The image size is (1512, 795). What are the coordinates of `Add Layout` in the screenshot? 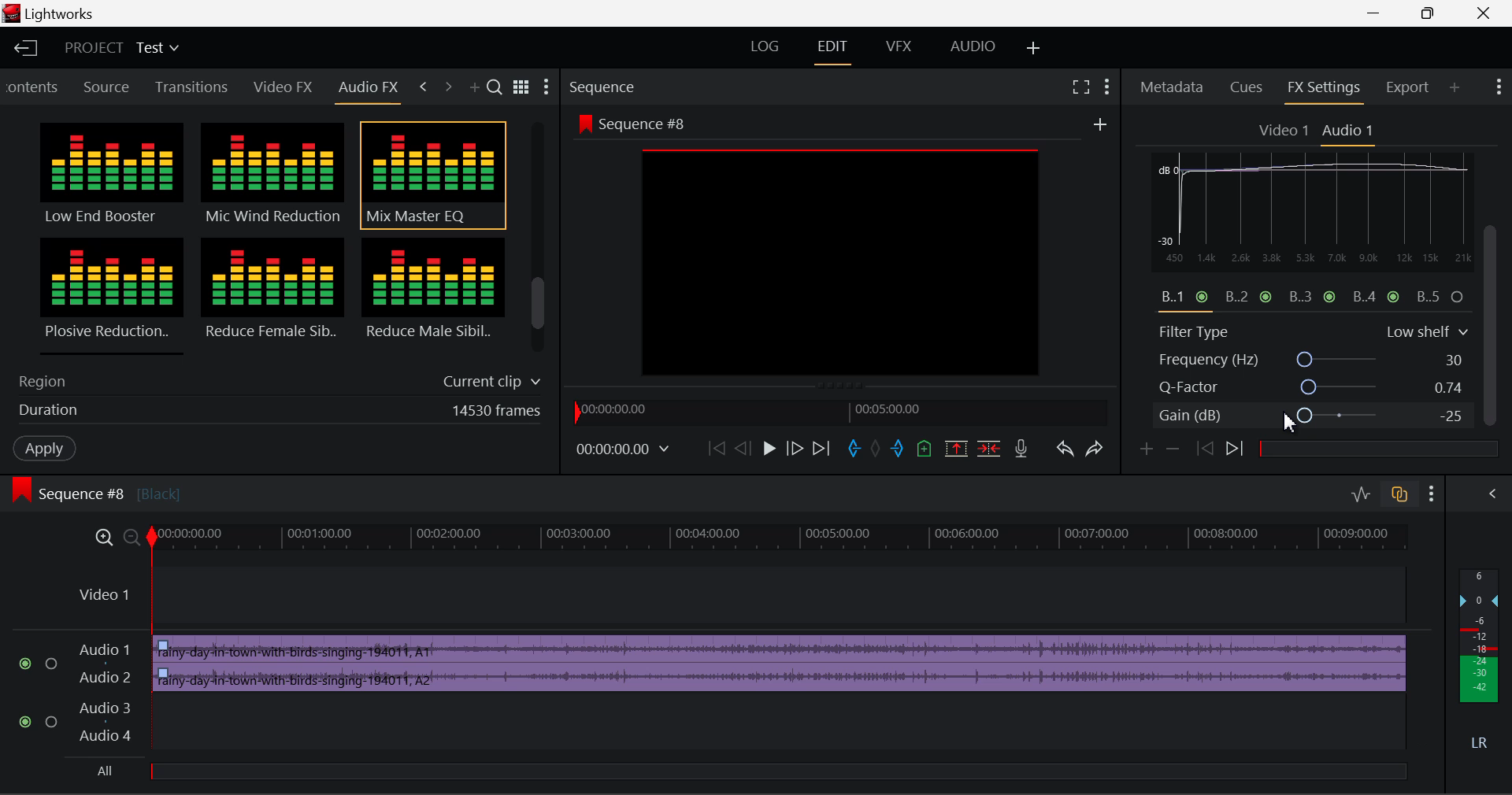 It's located at (1031, 47).